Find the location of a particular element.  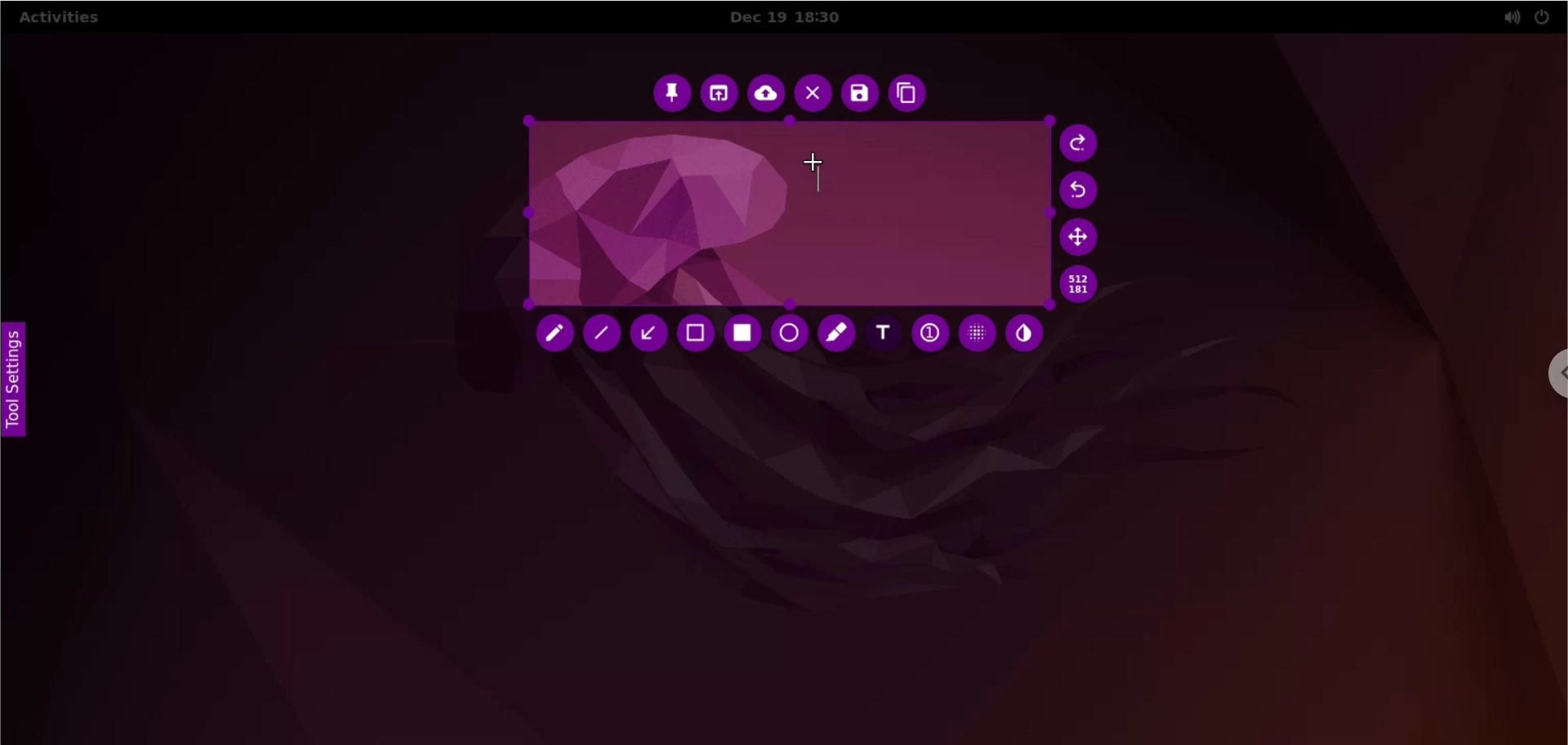

undo is located at coordinates (1085, 190).